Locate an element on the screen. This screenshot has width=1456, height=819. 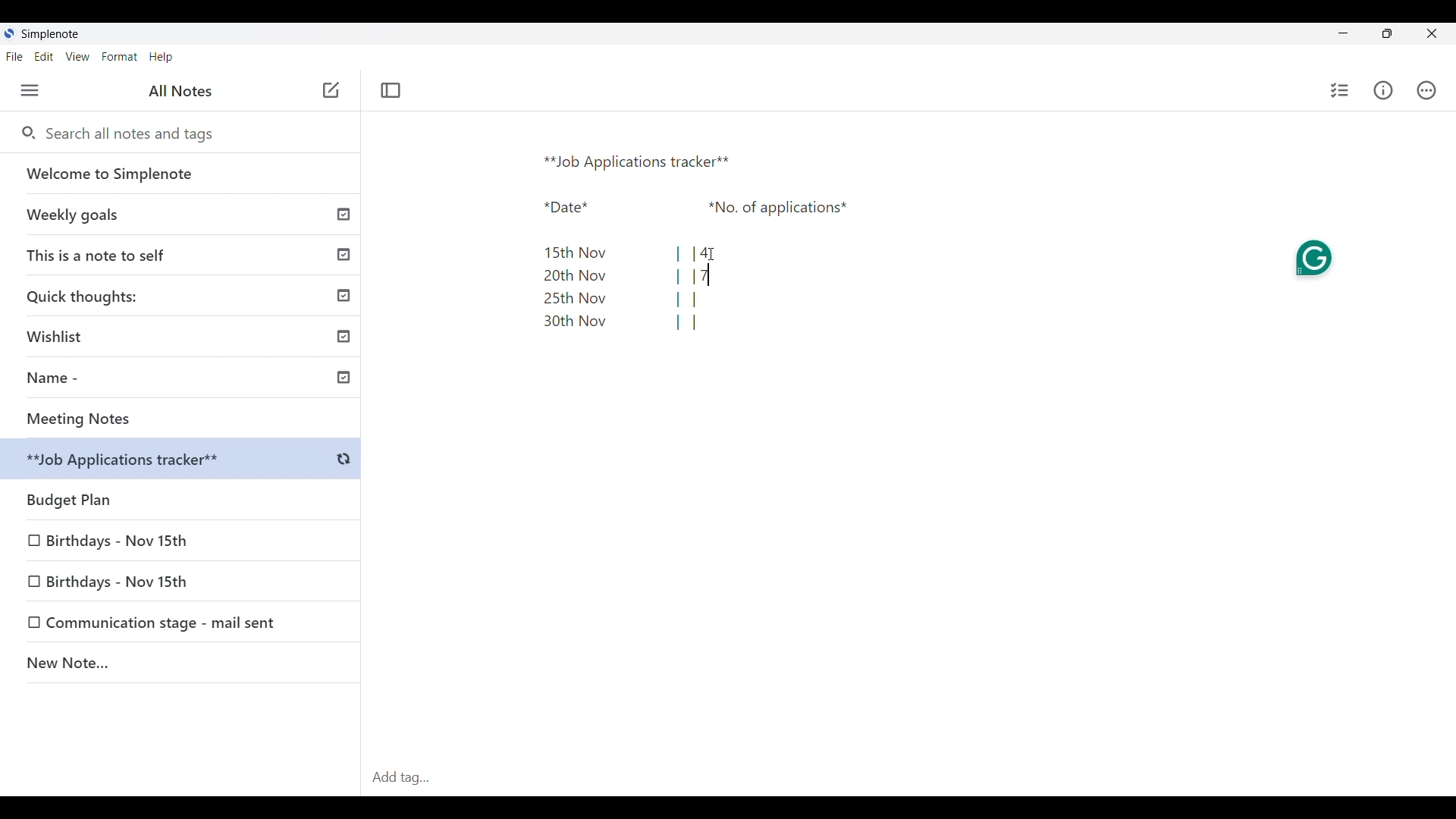
Close interface is located at coordinates (1432, 33).